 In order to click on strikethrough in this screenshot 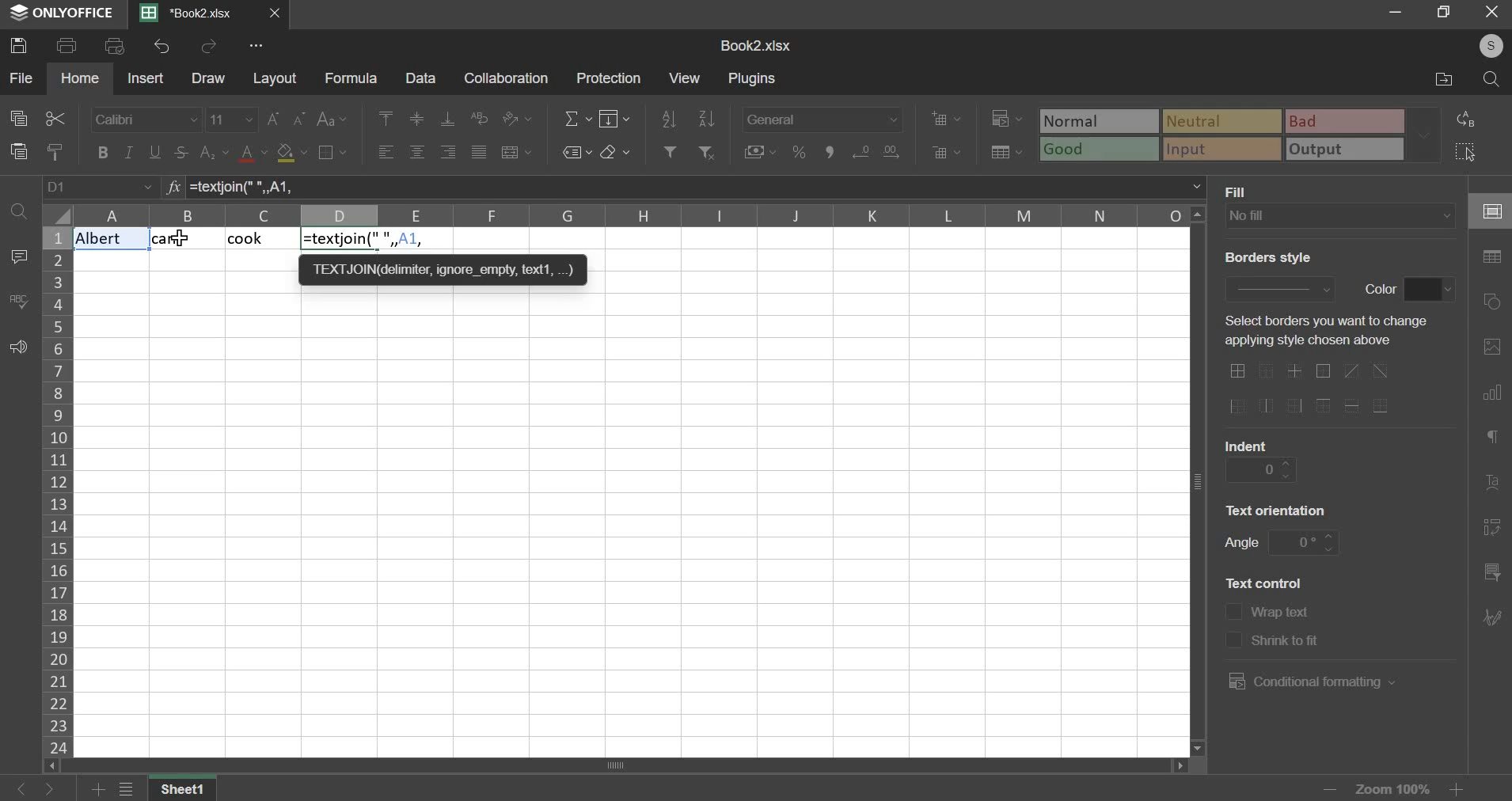, I will do `click(180, 152)`.